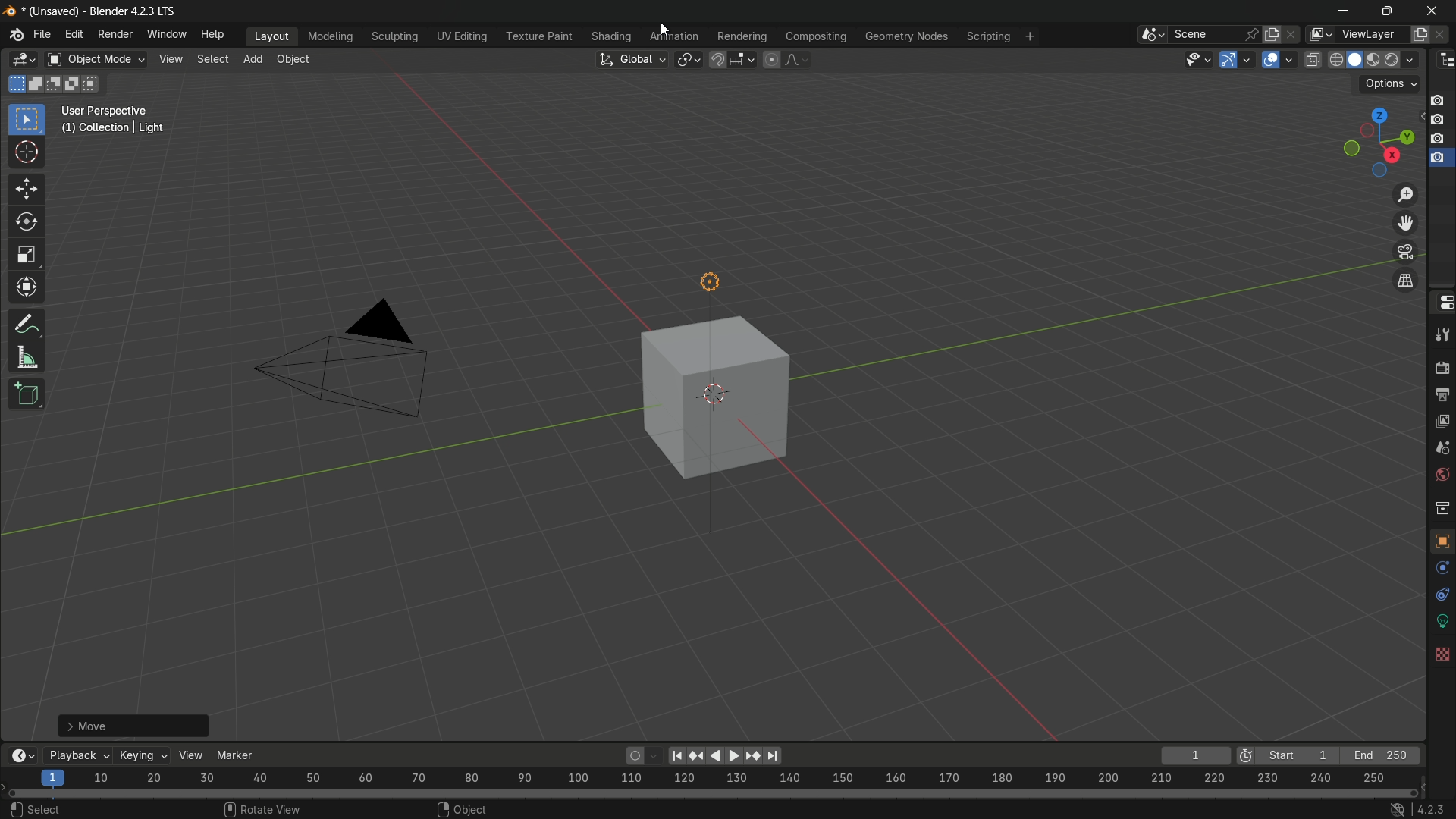  I want to click on snap, so click(731, 60).